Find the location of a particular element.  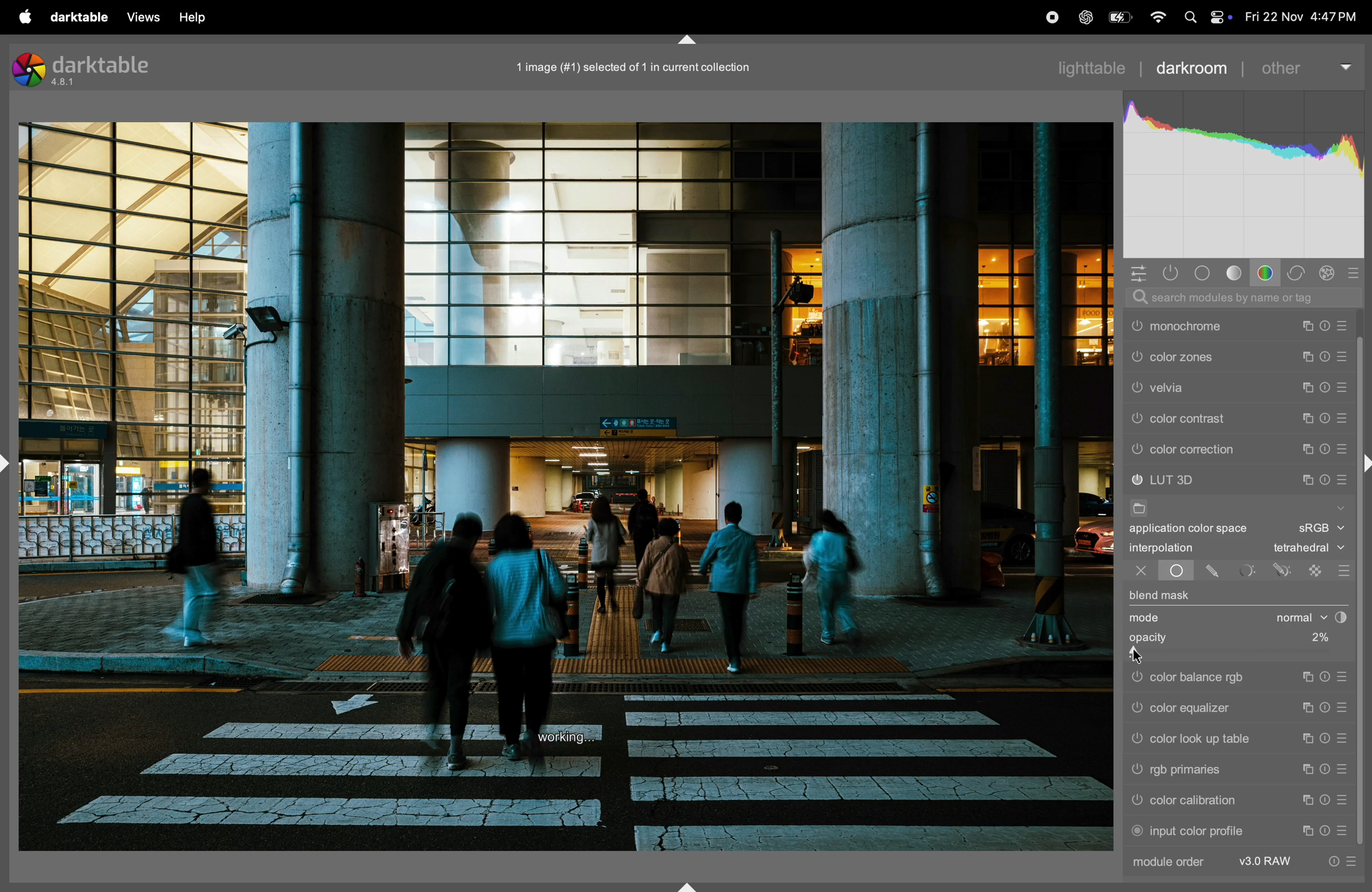

uniformly is located at coordinates (1177, 572).